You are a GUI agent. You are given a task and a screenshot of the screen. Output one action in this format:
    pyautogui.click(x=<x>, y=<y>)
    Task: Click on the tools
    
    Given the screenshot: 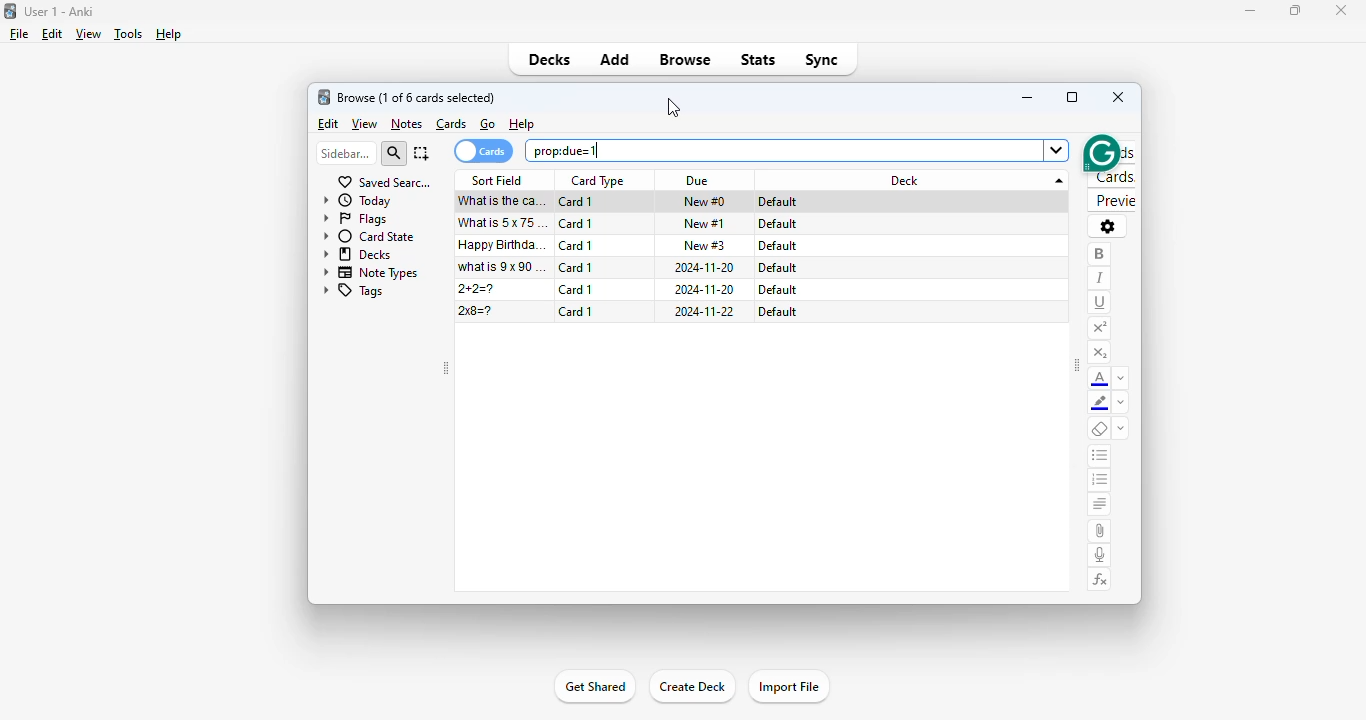 What is the action you would take?
    pyautogui.click(x=128, y=33)
    